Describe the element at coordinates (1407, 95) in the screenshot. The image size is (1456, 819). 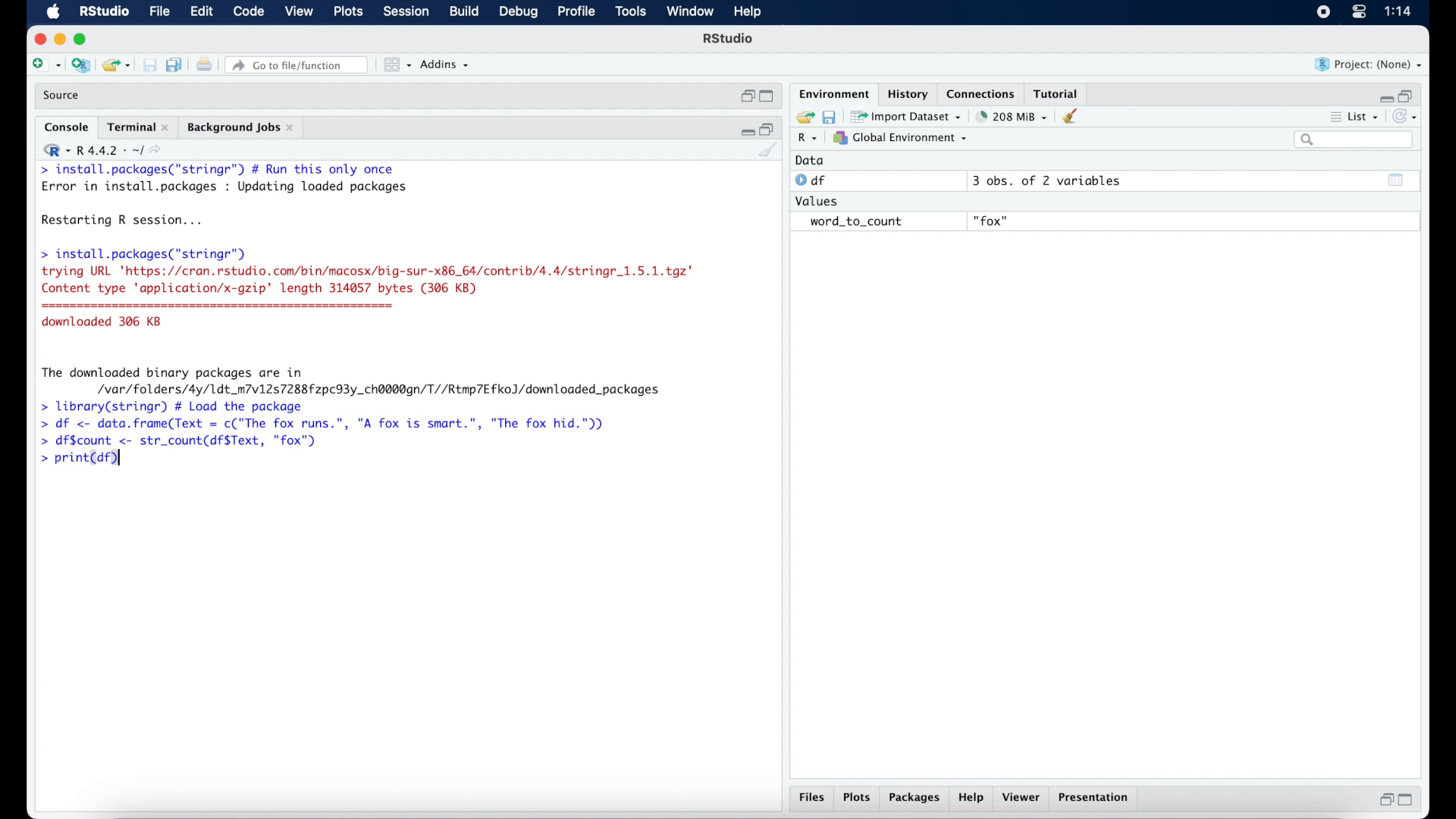
I see `restore down` at that location.